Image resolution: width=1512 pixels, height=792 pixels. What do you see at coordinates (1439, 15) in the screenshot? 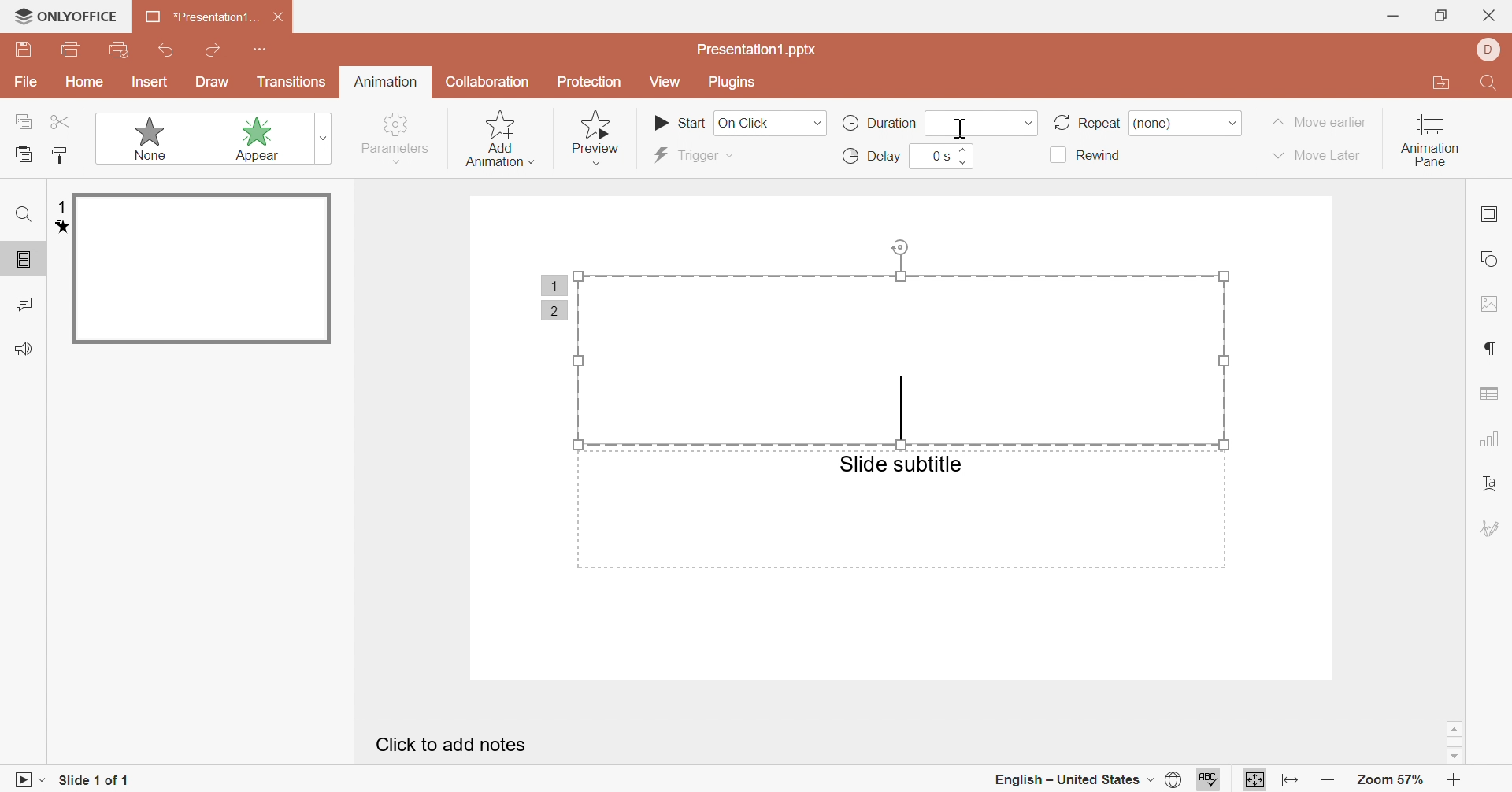
I see `restore down` at bounding box center [1439, 15].